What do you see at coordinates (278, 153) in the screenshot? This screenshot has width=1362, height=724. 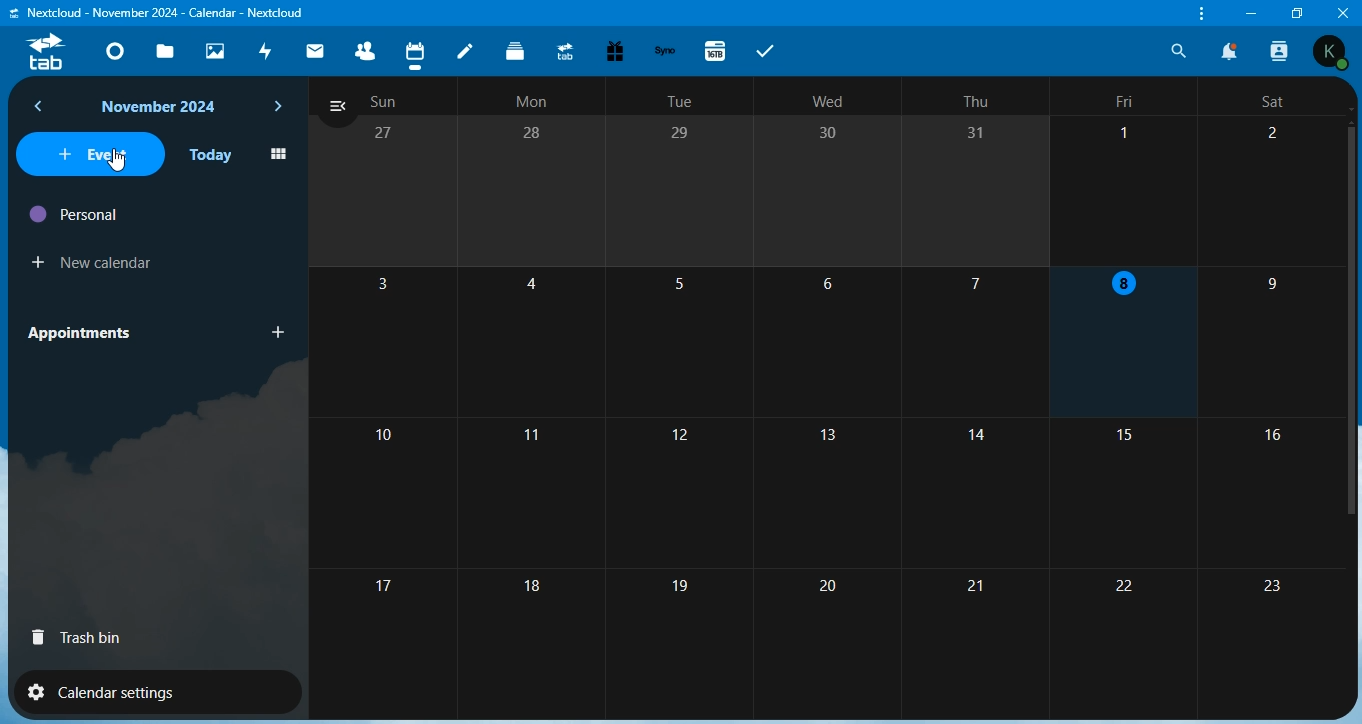 I see `icon` at bounding box center [278, 153].